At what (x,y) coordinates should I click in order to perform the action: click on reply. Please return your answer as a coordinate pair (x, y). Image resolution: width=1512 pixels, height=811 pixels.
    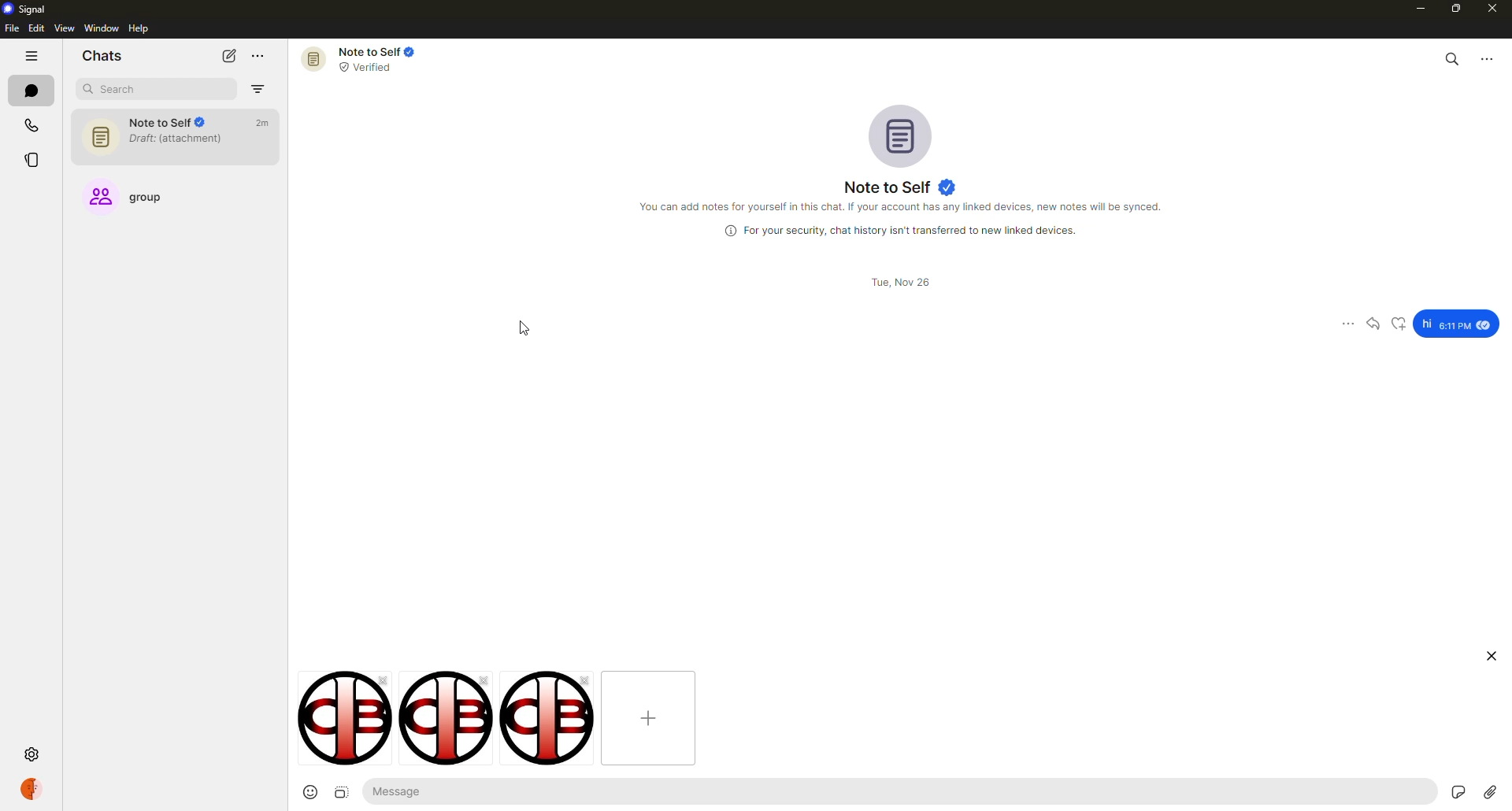
    Looking at the image, I should click on (1377, 324).